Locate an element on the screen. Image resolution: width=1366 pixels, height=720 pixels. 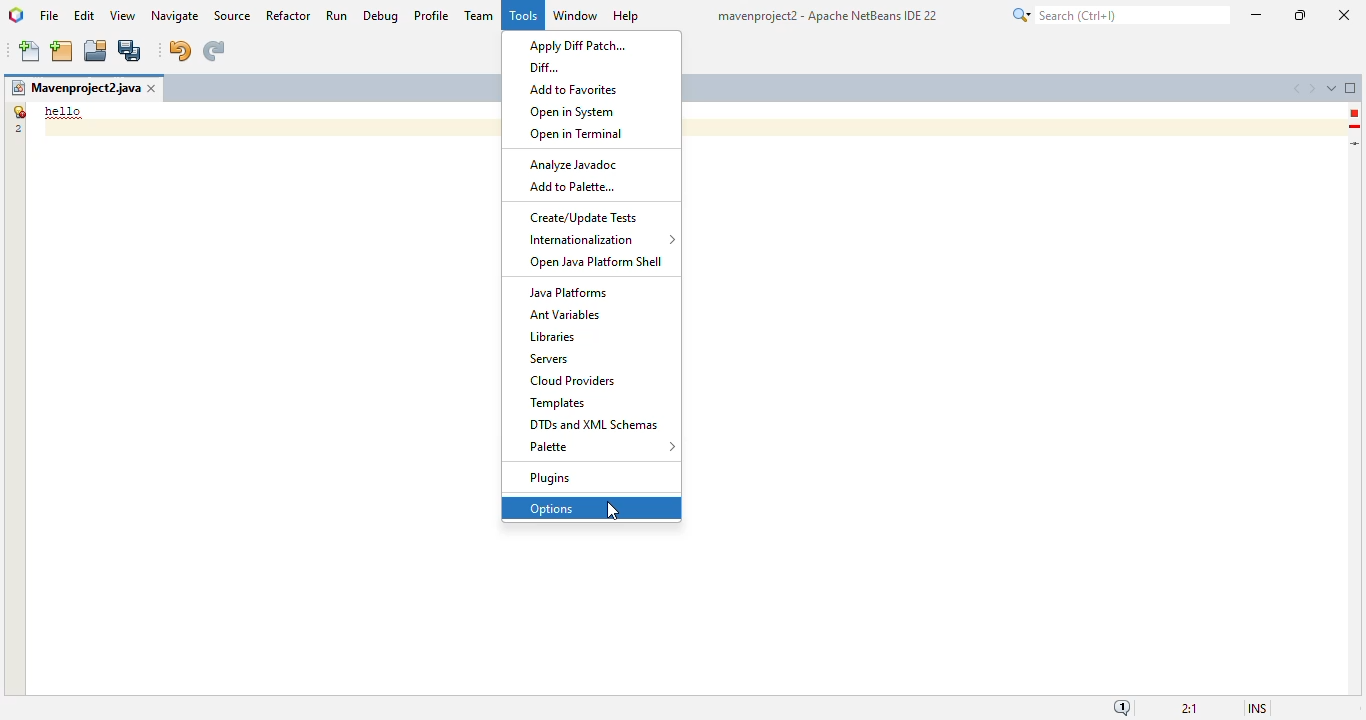
libraries is located at coordinates (552, 336).